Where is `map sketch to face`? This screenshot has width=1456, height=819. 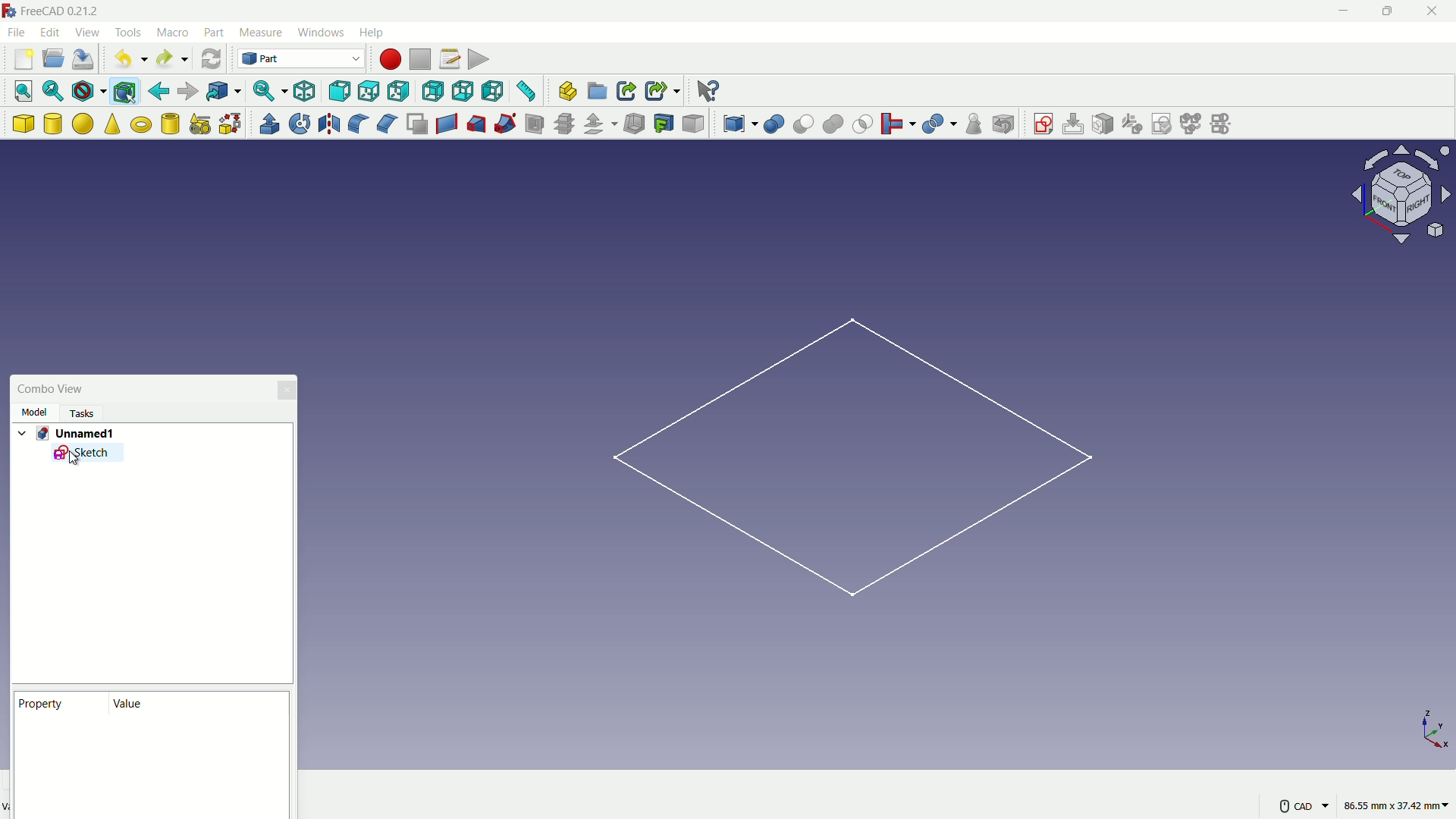
map sketch to face is located at coordinates (1102, 123).